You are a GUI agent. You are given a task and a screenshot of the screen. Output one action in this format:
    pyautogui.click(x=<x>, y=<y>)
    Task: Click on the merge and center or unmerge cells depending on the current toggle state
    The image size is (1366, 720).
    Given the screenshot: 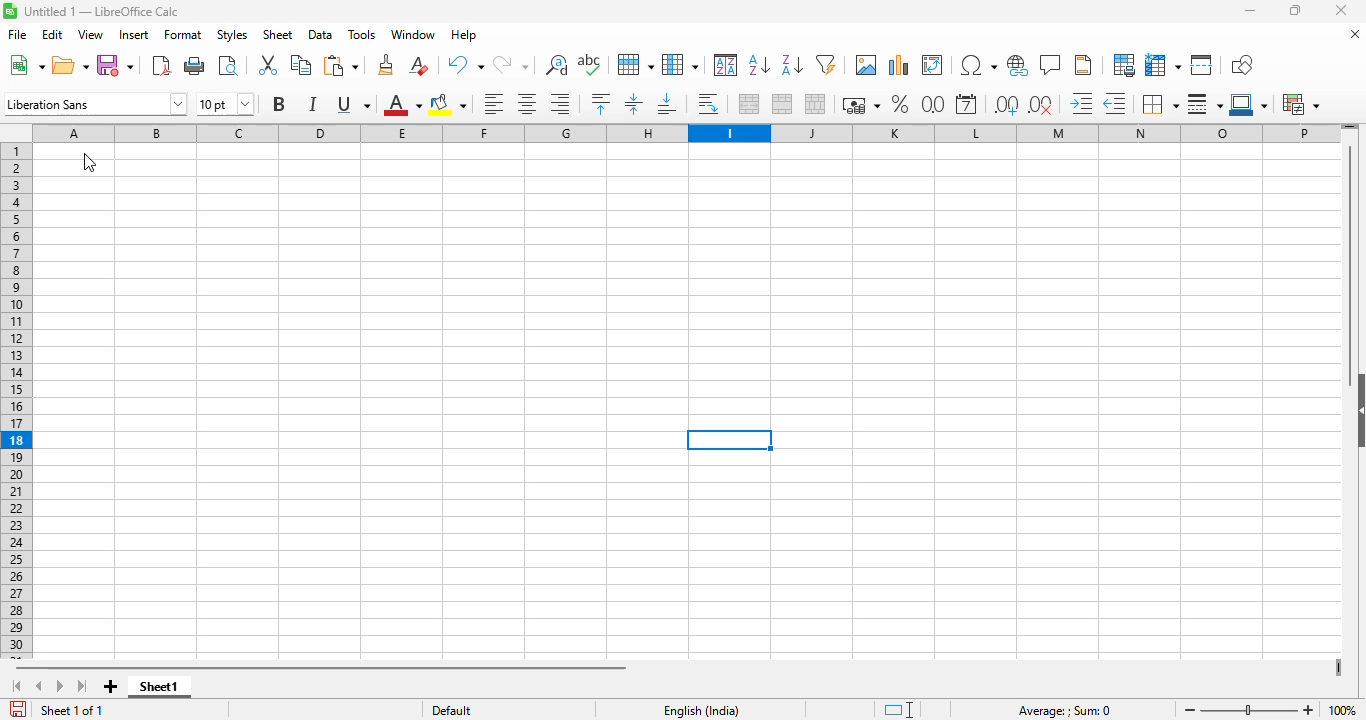 What is the action you would take?
    pyautogui.click(x=750, y=103)
    